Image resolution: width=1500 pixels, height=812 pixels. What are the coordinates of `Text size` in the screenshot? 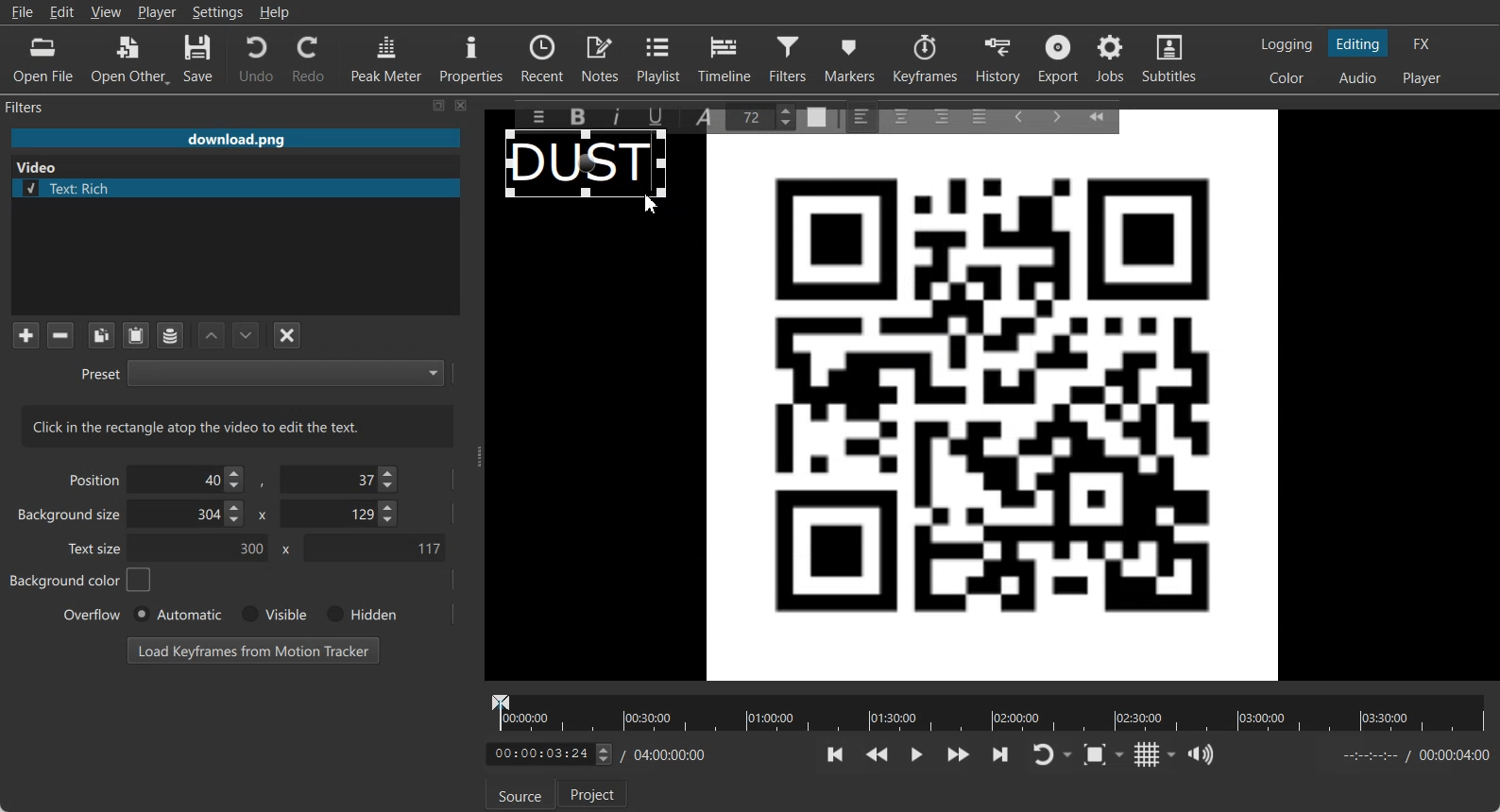 It's located at (96, 548).